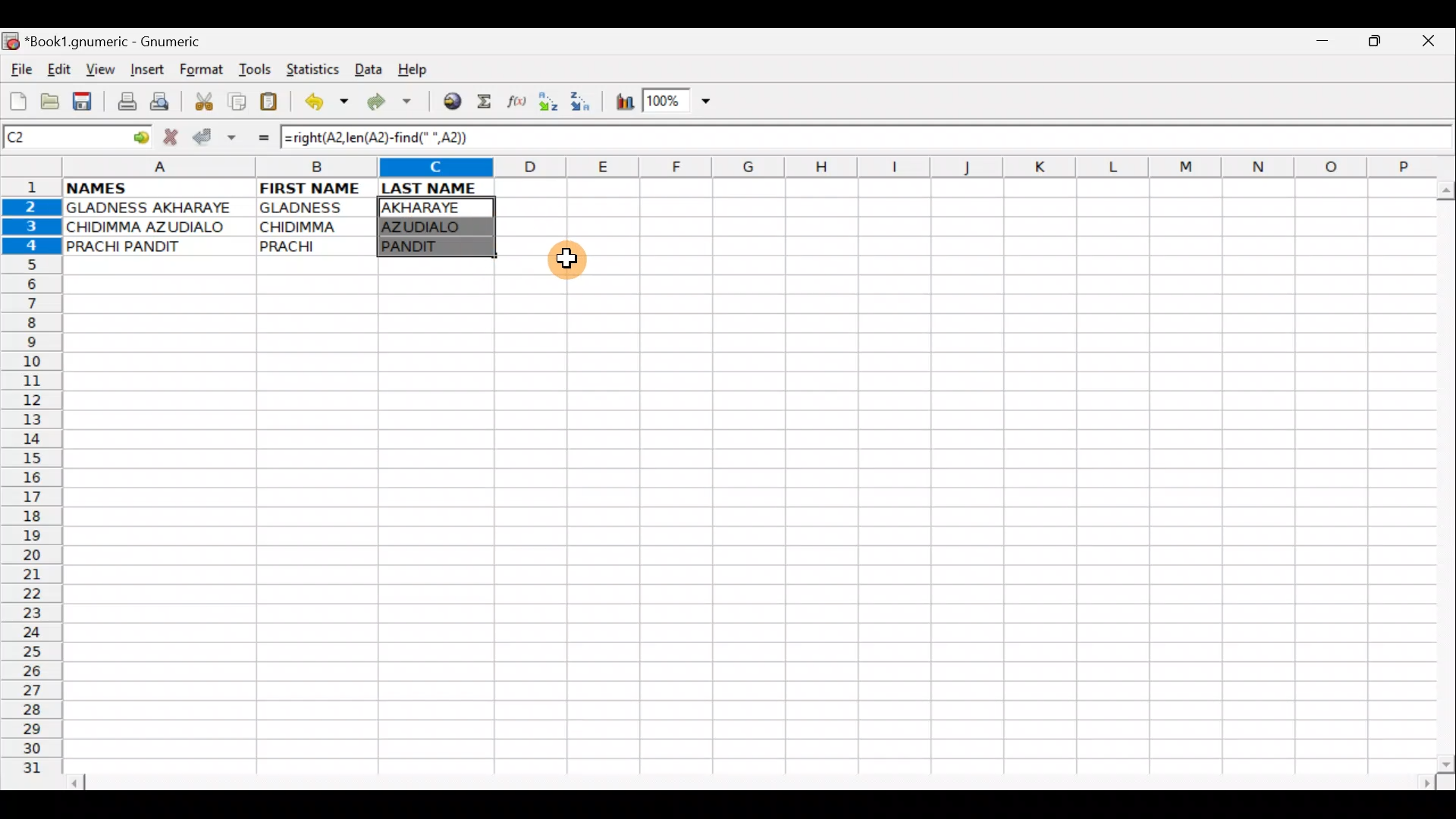  I want to click on Cell name C2, so click(61, 138).